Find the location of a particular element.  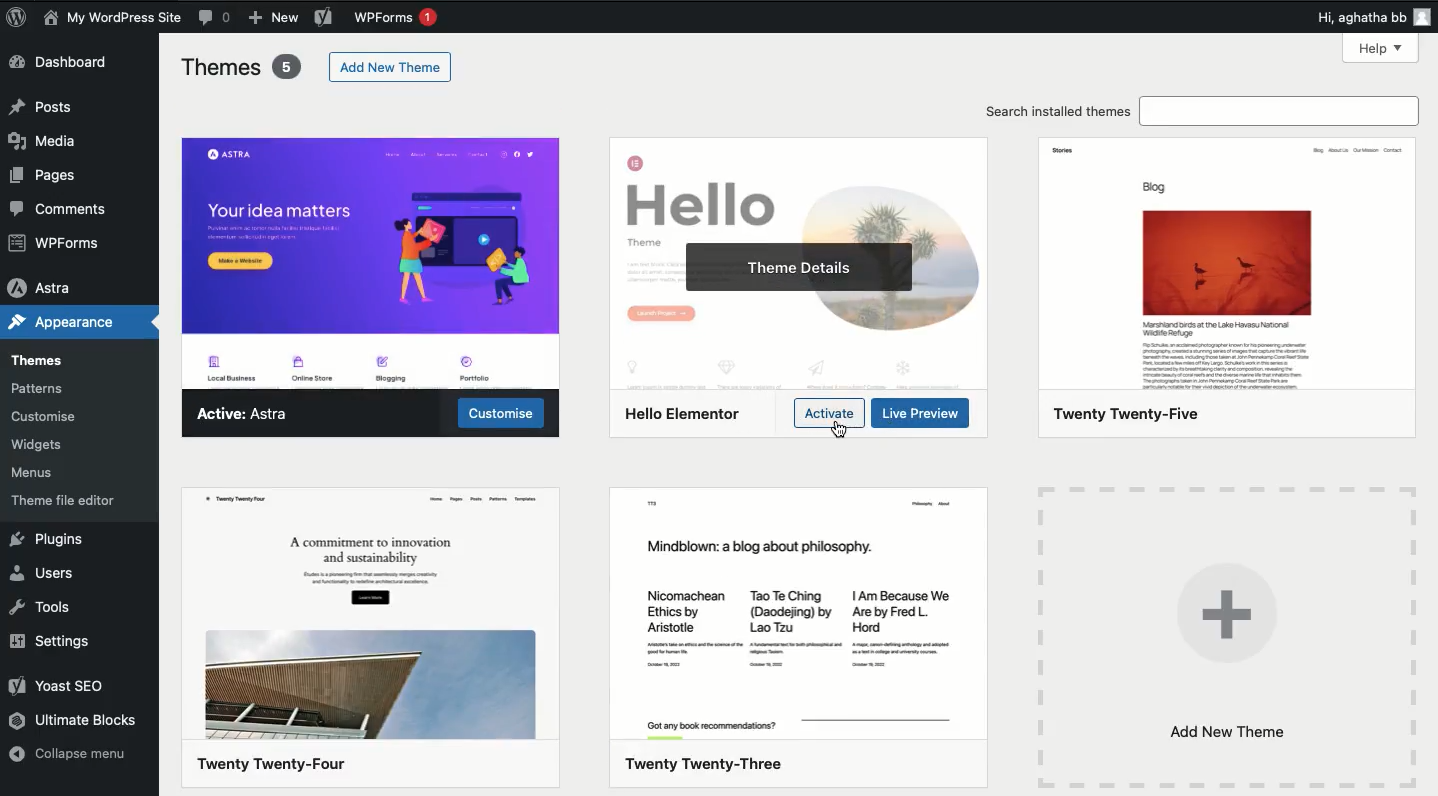

Collapse menu is located at coordinates (71, 752).